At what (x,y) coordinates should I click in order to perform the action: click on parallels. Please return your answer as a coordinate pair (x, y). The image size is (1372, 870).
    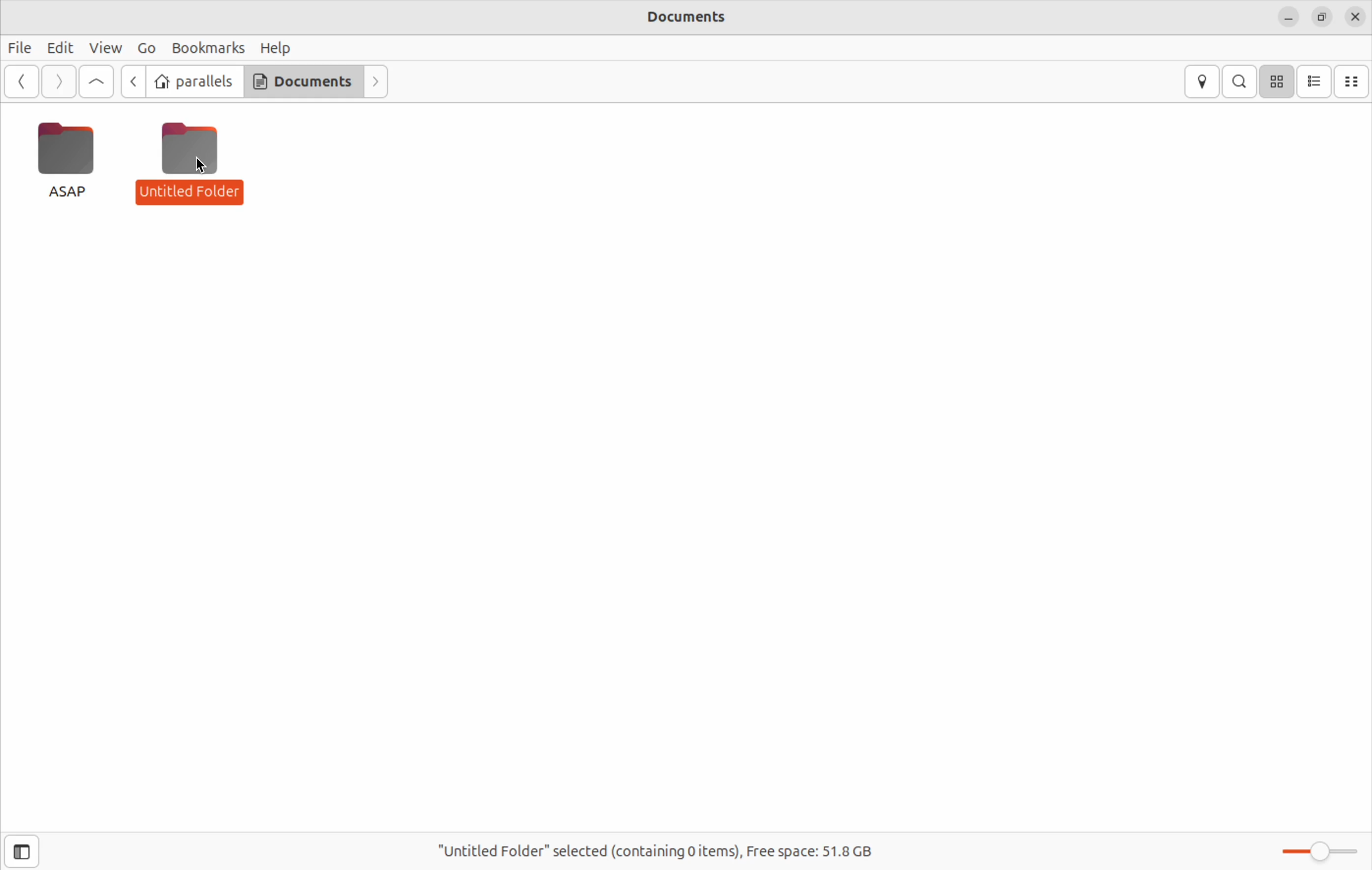
    Looking at the image, I should click on (194, 82).